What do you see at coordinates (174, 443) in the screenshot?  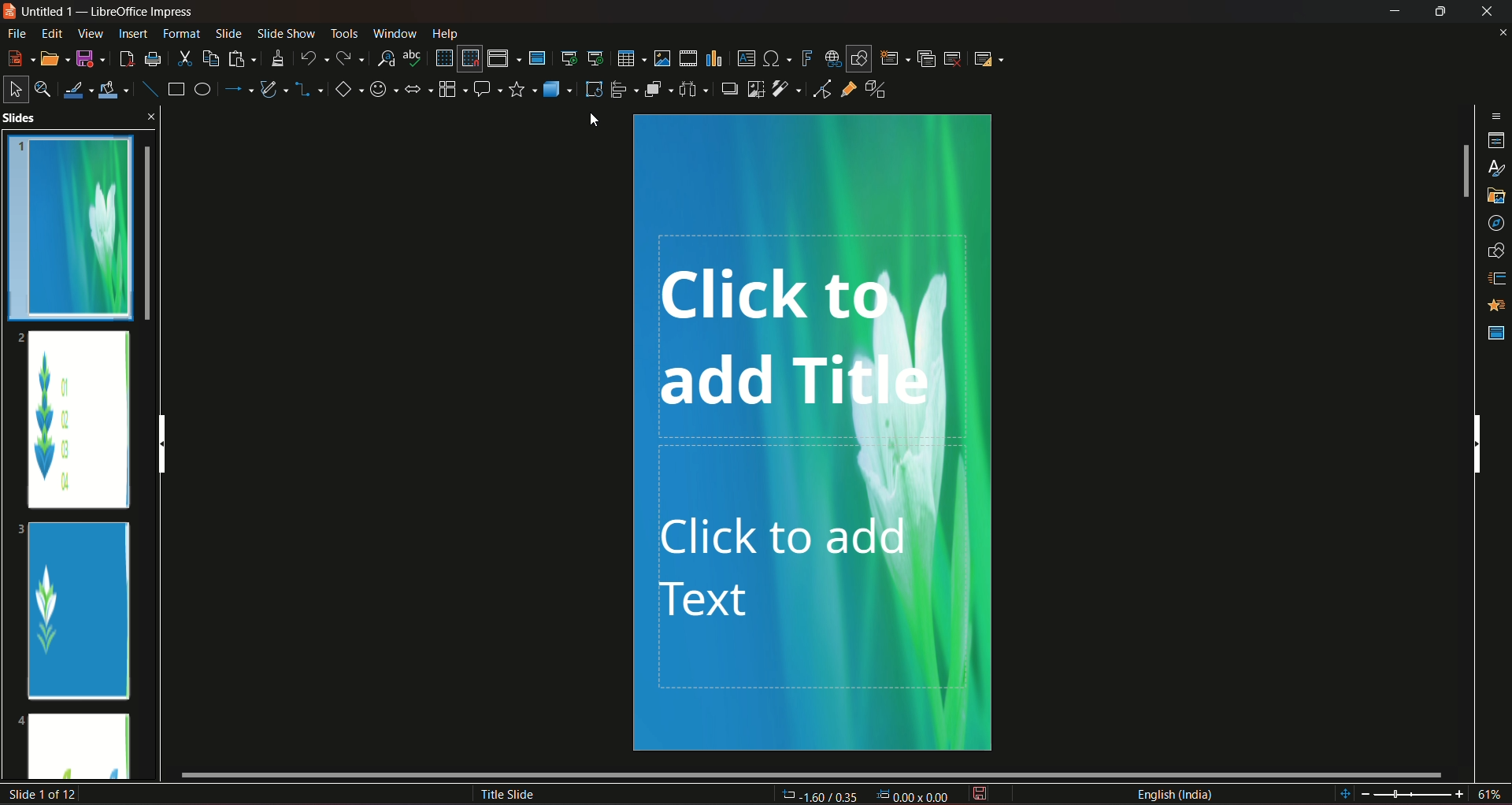 I see `vertical scroll` at bounding box center [174, 443].